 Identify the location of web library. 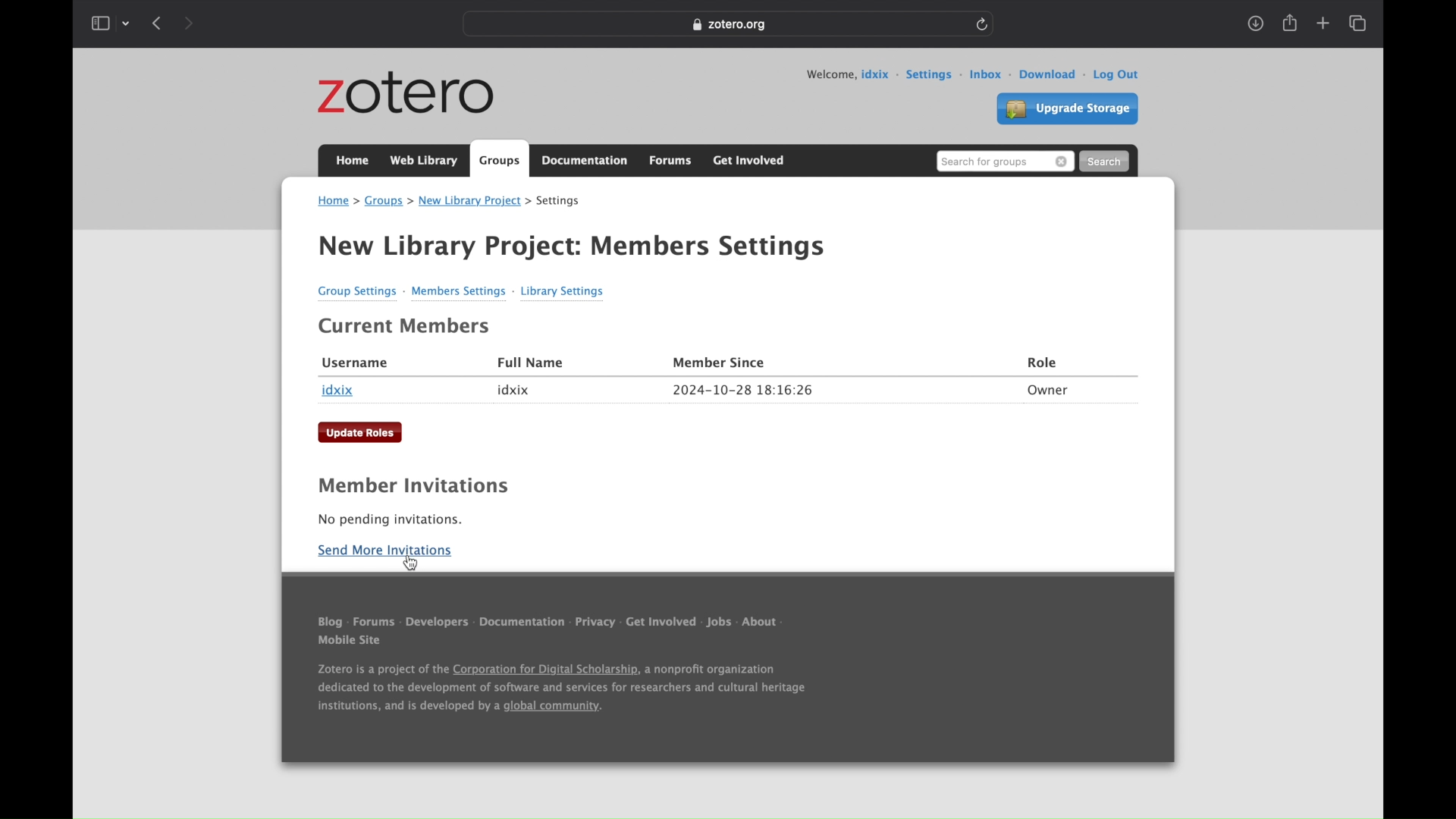
(423, 161).